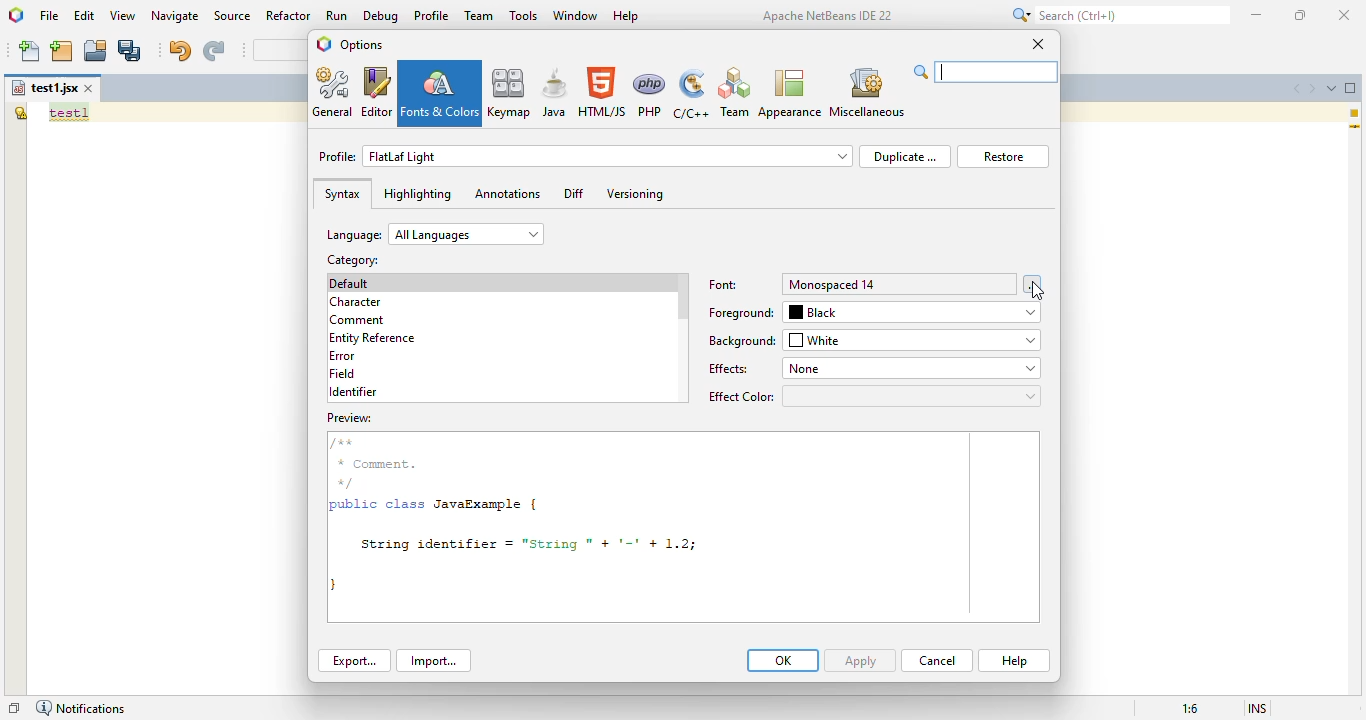 The width and height of the screenshot is (1366, 720). What do you see at coordinates (435, 234) in the screenshot?
I see `language` at bounding box center [435, 234].